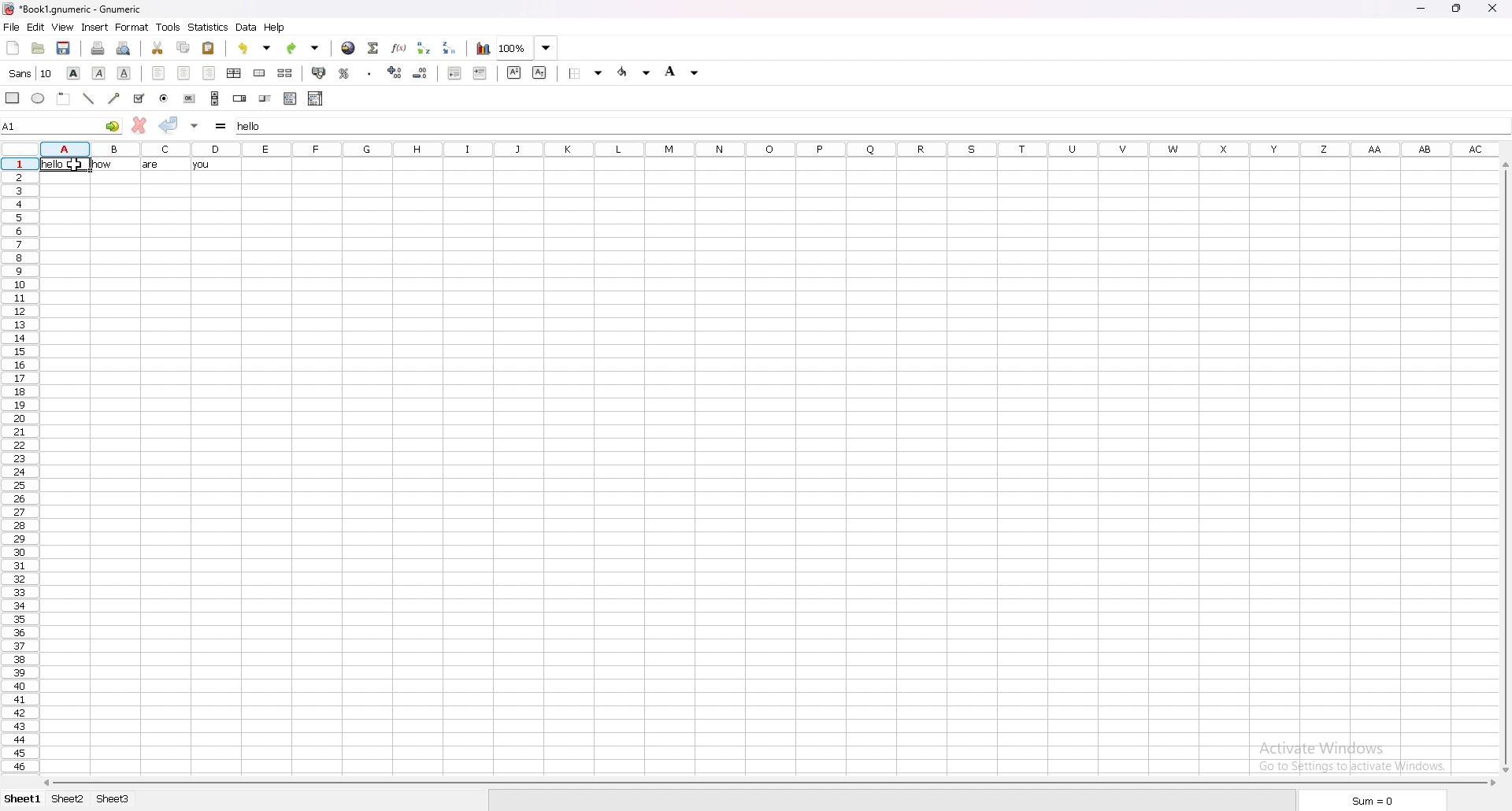 The height and width of the screenshot is (811, 1512). I want to click on resize, so click(1459, 8).